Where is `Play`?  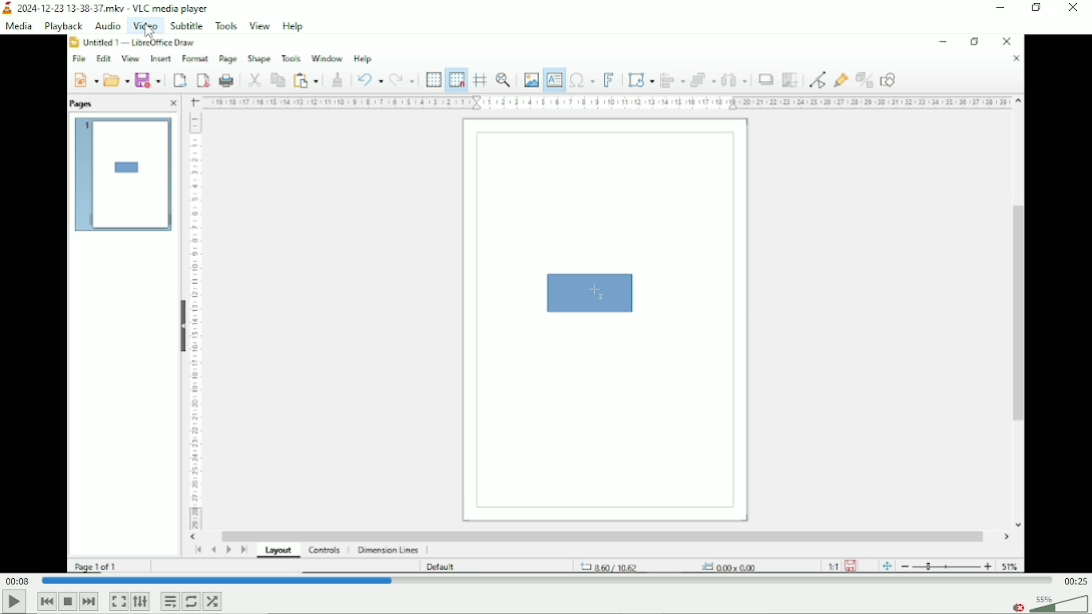
Play is located at coordinates (13, 603).